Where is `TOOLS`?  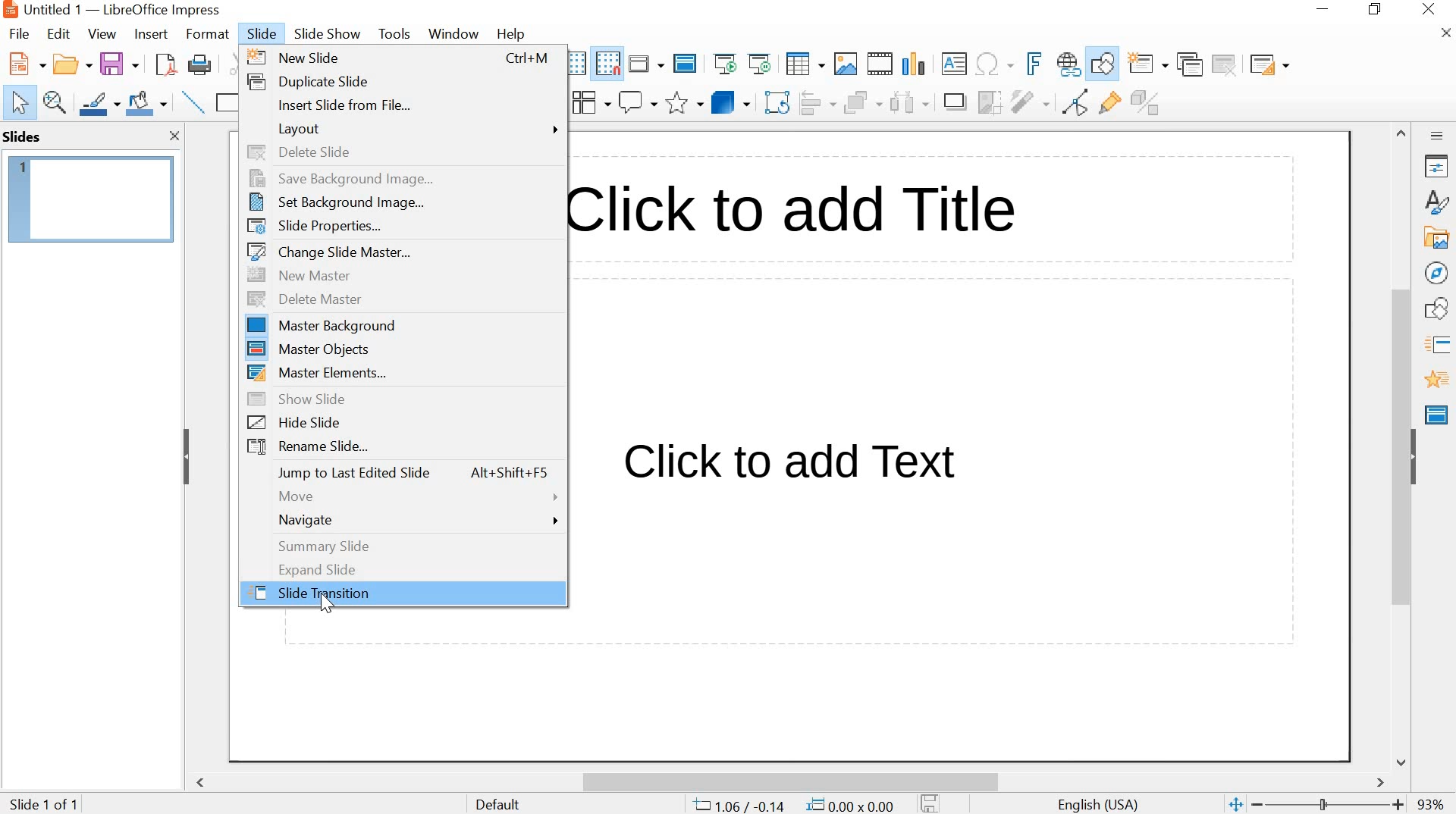
TOOLS is located at coordinates (396, 33).